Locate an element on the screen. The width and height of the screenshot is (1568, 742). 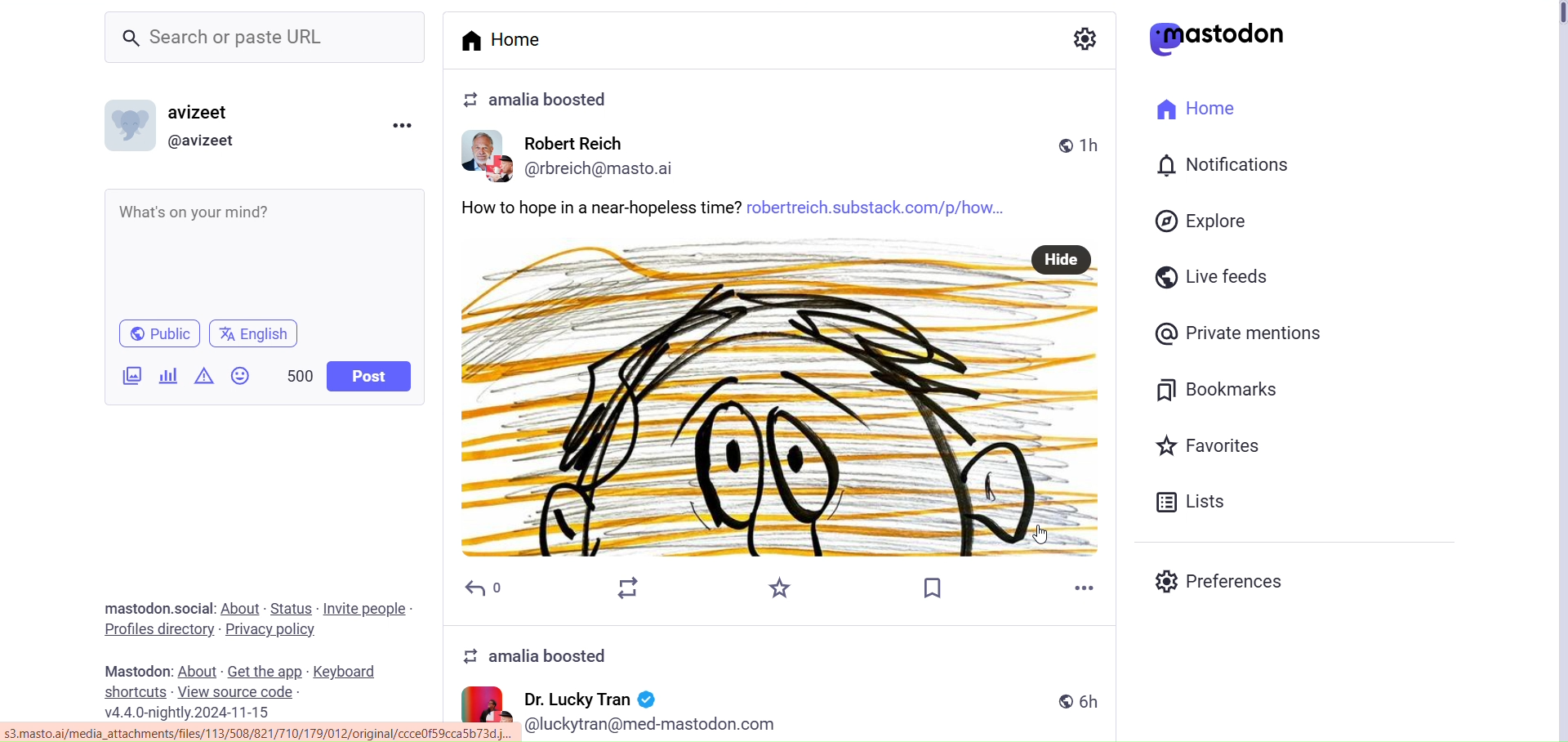
Time Posted is located at coordinates (1086, 703).